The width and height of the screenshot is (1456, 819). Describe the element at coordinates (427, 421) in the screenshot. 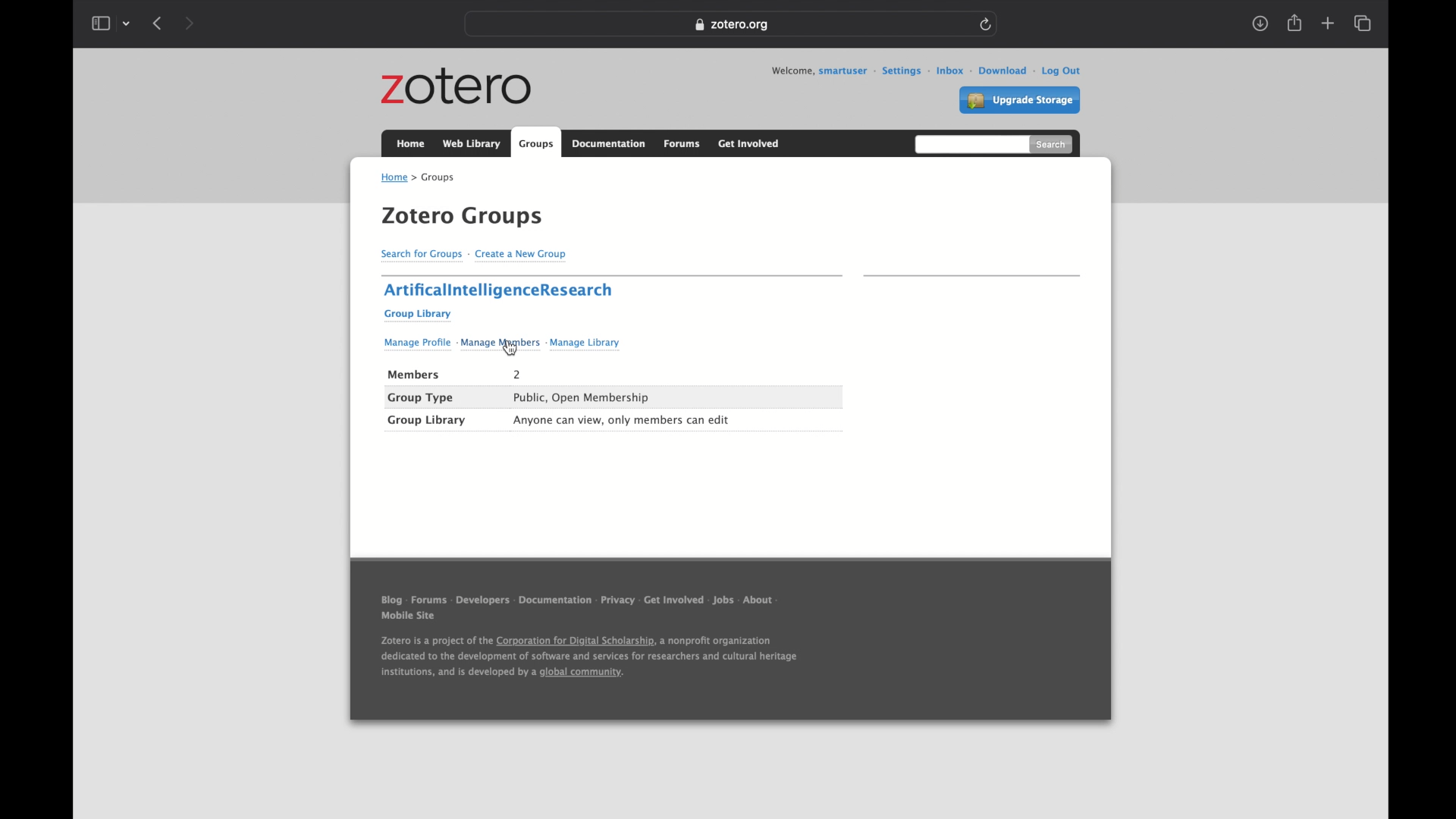

I see `group library` at that location.